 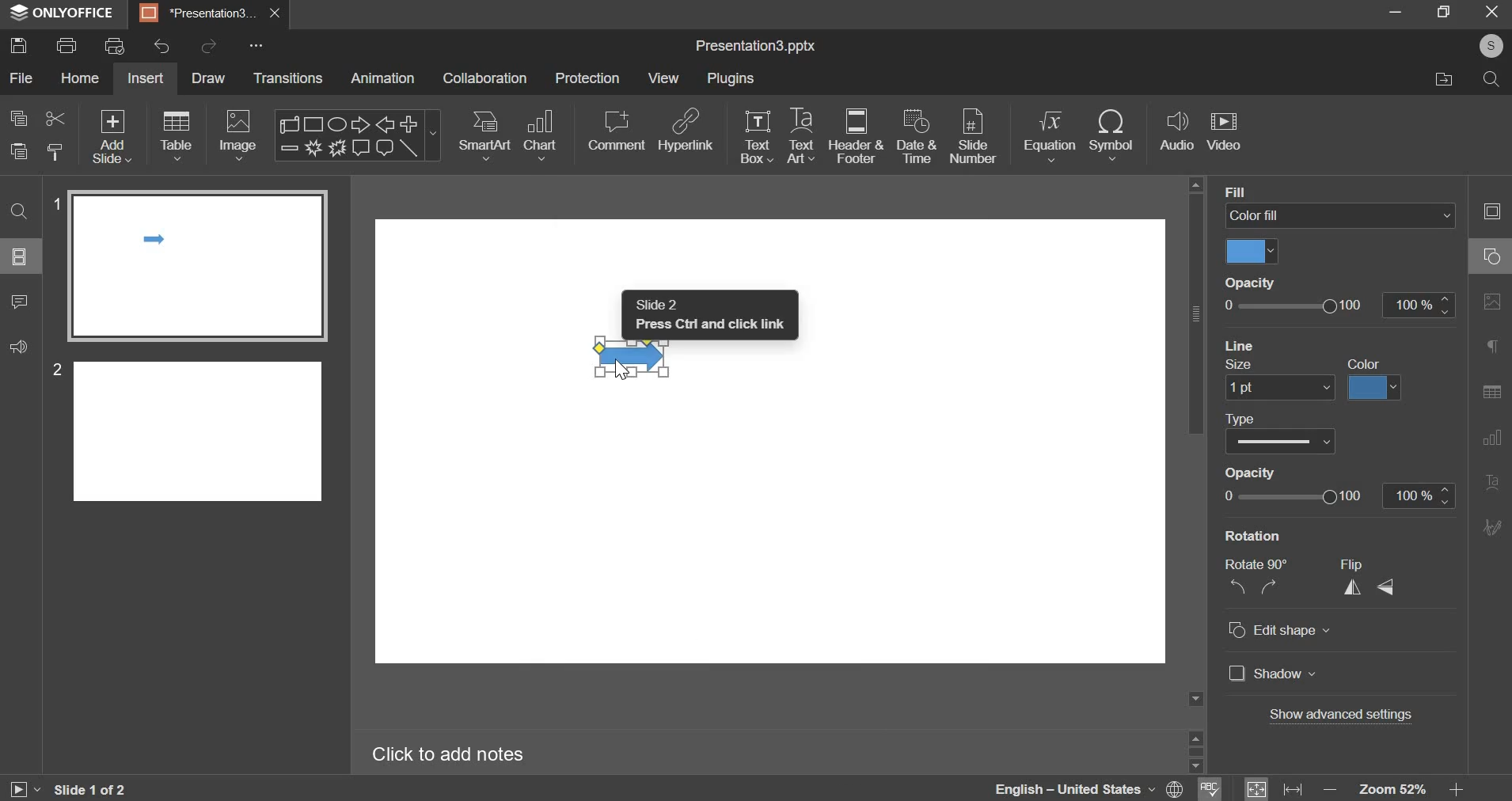 What do you see at coordinates (1491, 256) in the screenshot?
I see `Shape settings` at bounding box center [1491, 256].